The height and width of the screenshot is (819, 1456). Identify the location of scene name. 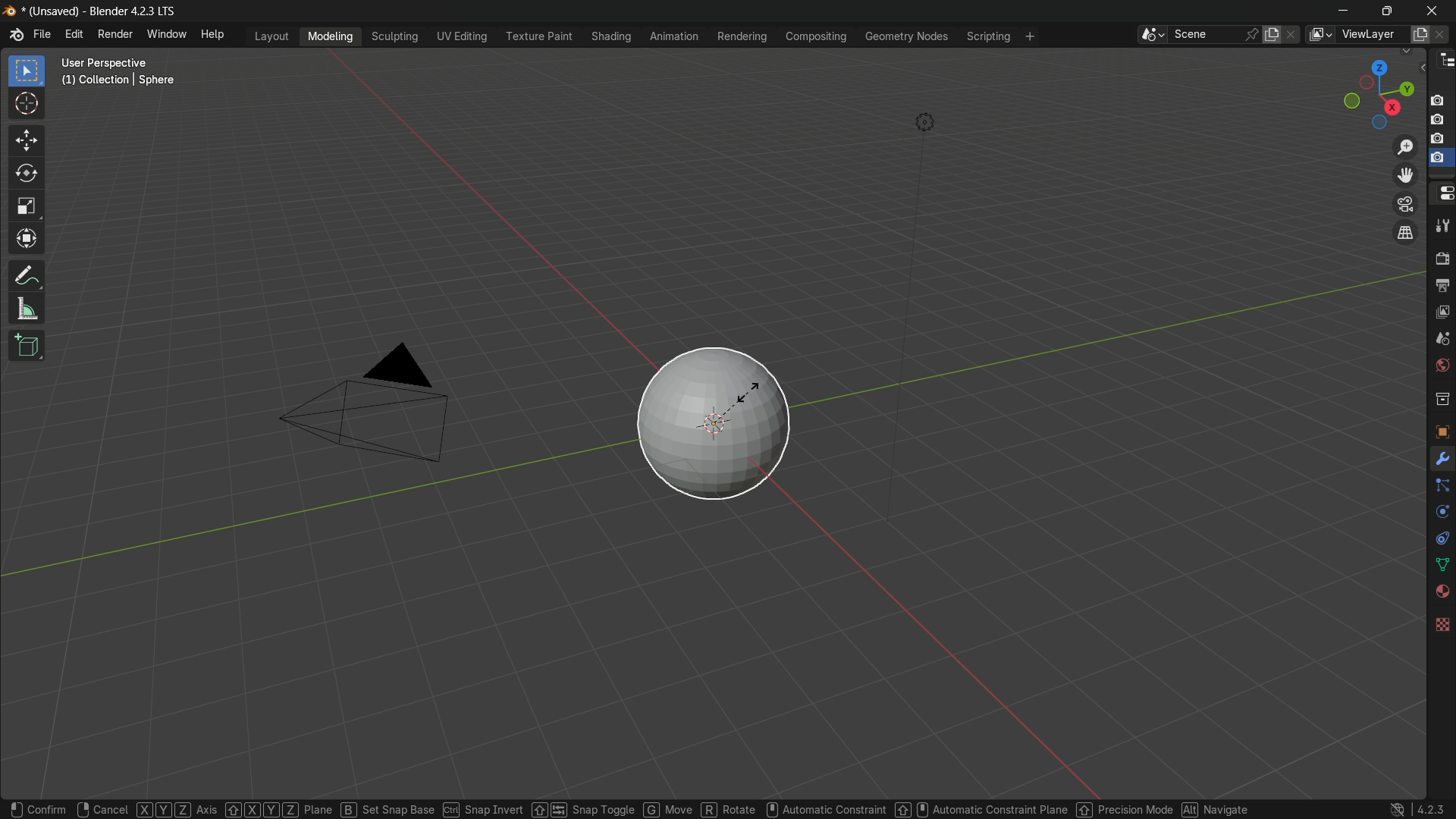
(1207, 35).